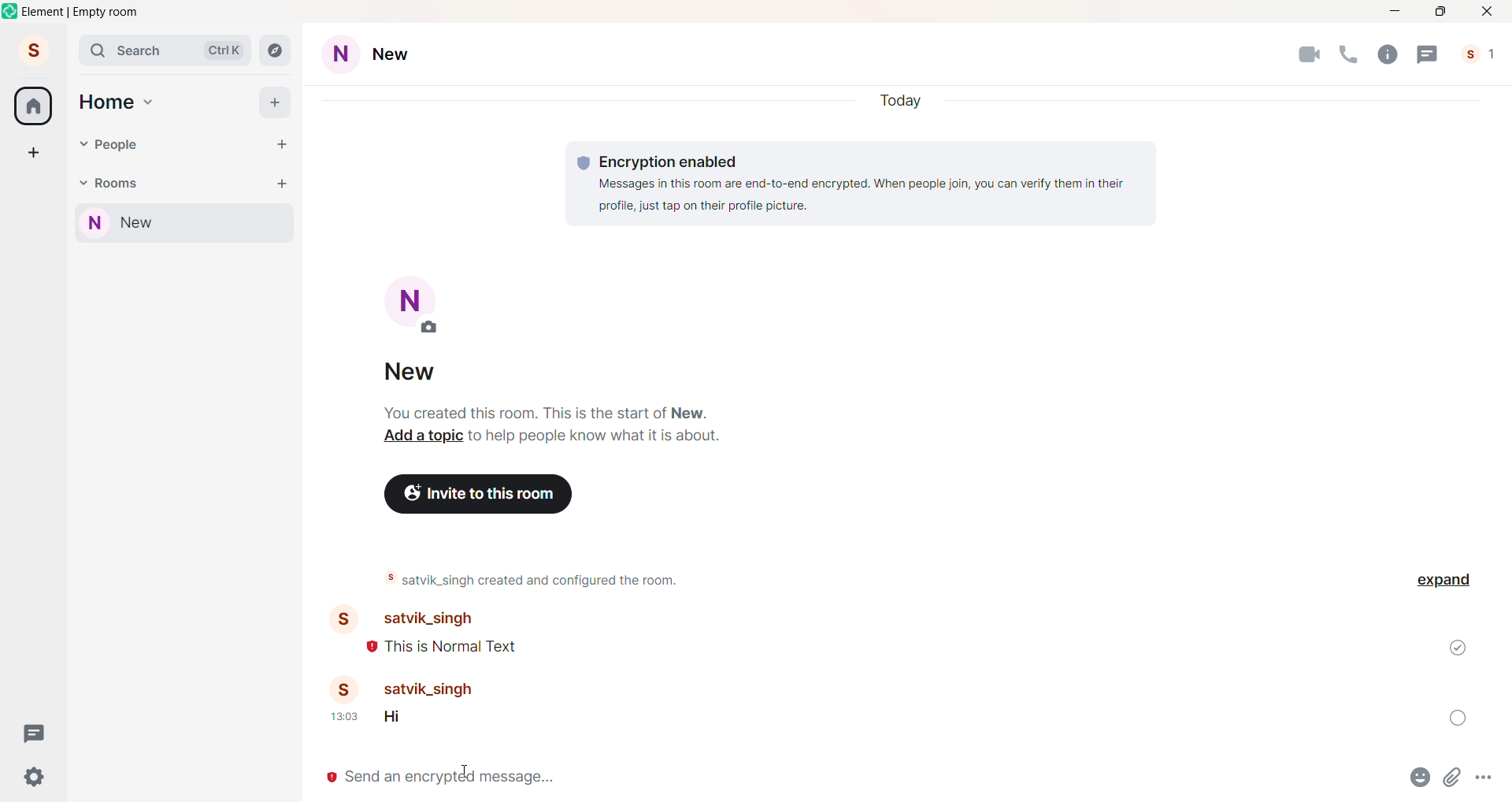 The height and width of the screenshot is (802, 1512). I want to click on More Options, so click(1487, 778).